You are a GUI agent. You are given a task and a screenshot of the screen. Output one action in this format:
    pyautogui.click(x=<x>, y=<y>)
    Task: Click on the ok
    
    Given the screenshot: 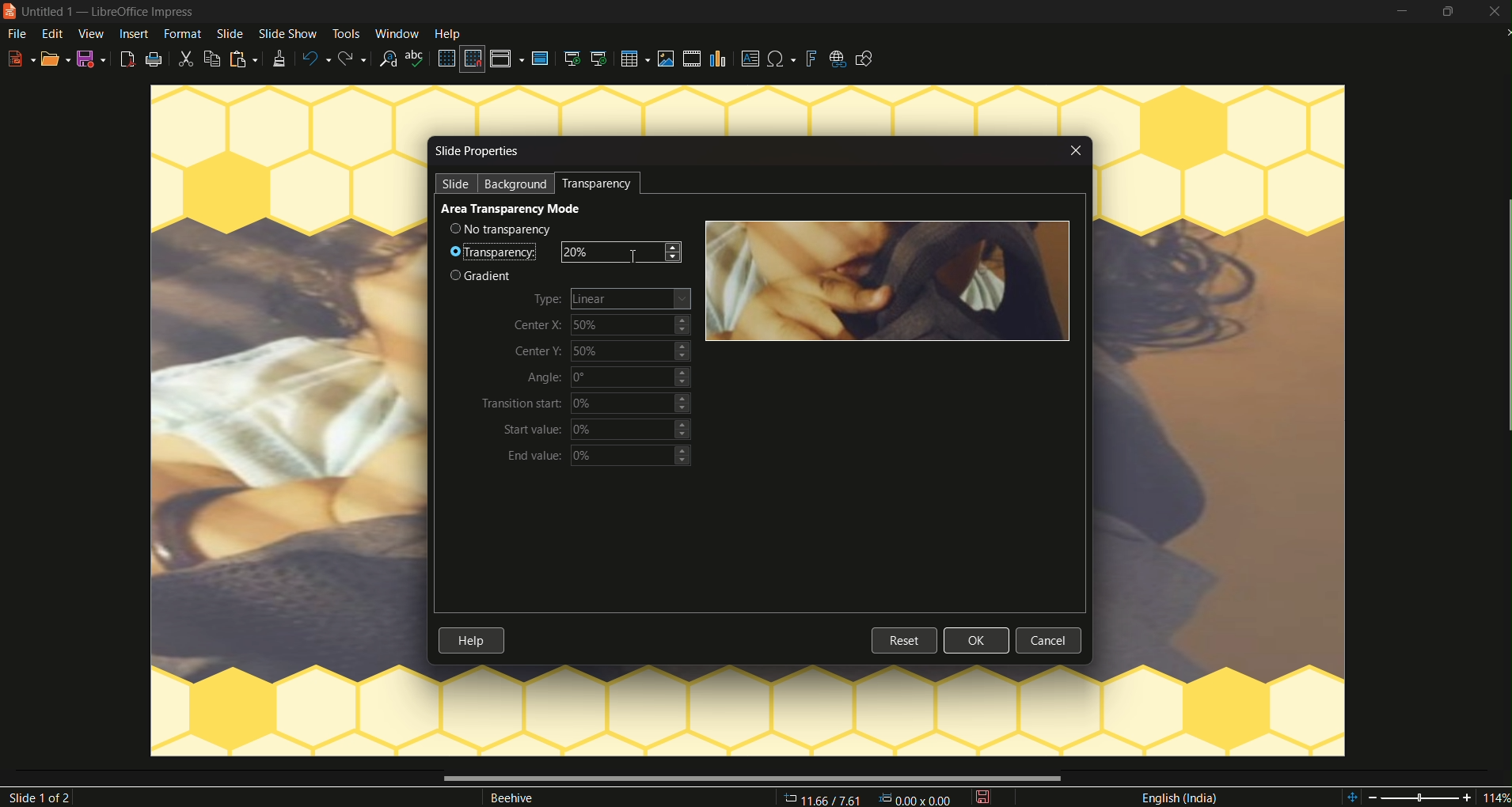 What is the action you would take?
    pyautogui.click(x=978, y=640)
    